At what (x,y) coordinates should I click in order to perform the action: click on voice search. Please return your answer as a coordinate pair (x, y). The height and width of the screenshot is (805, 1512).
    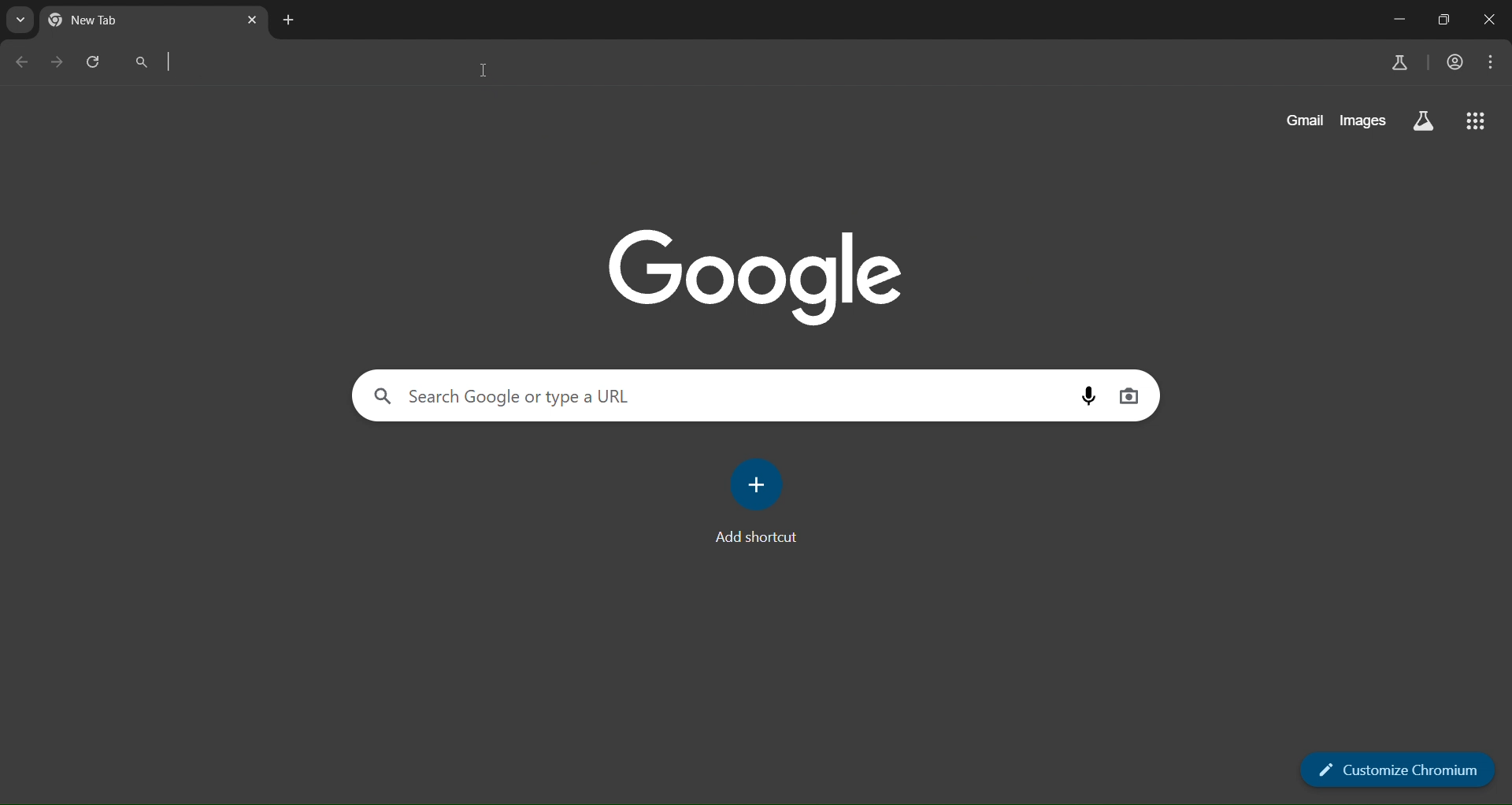
    Looking at the image, I should click on (1087, 397).